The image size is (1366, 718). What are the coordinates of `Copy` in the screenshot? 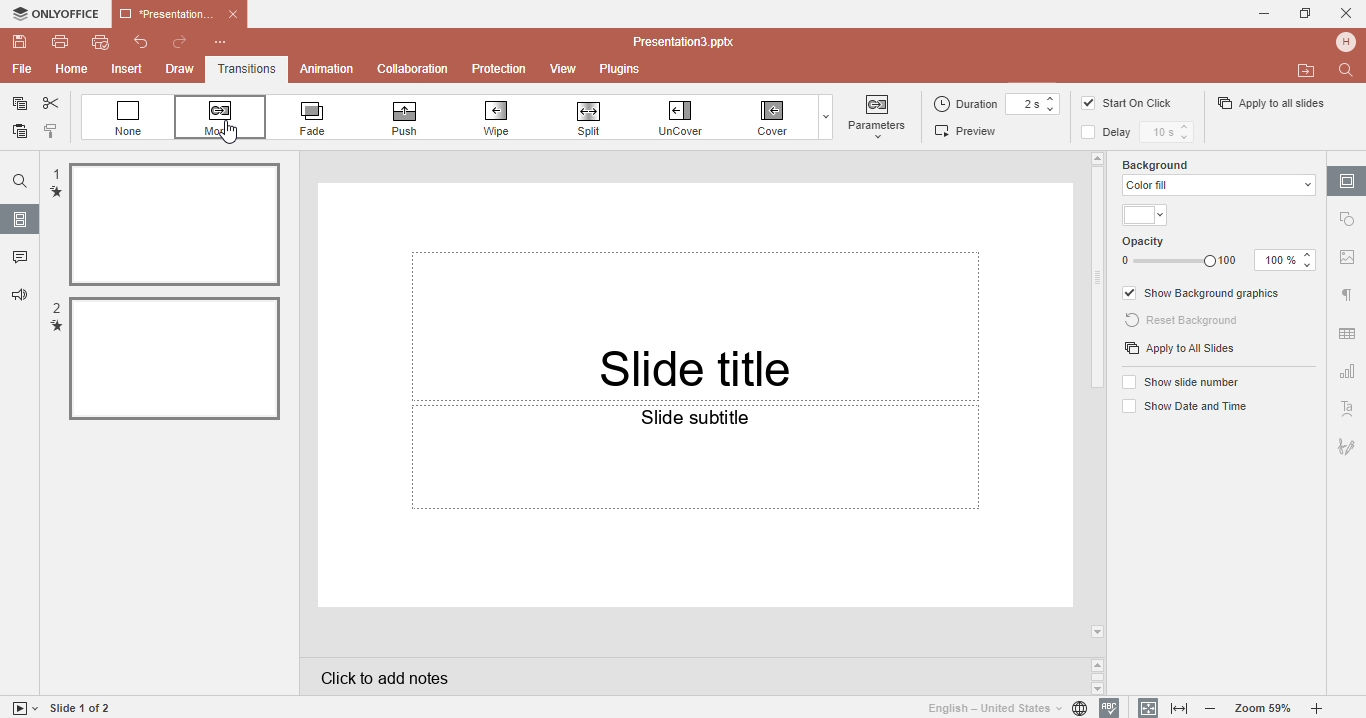 It's located at (16, 104).